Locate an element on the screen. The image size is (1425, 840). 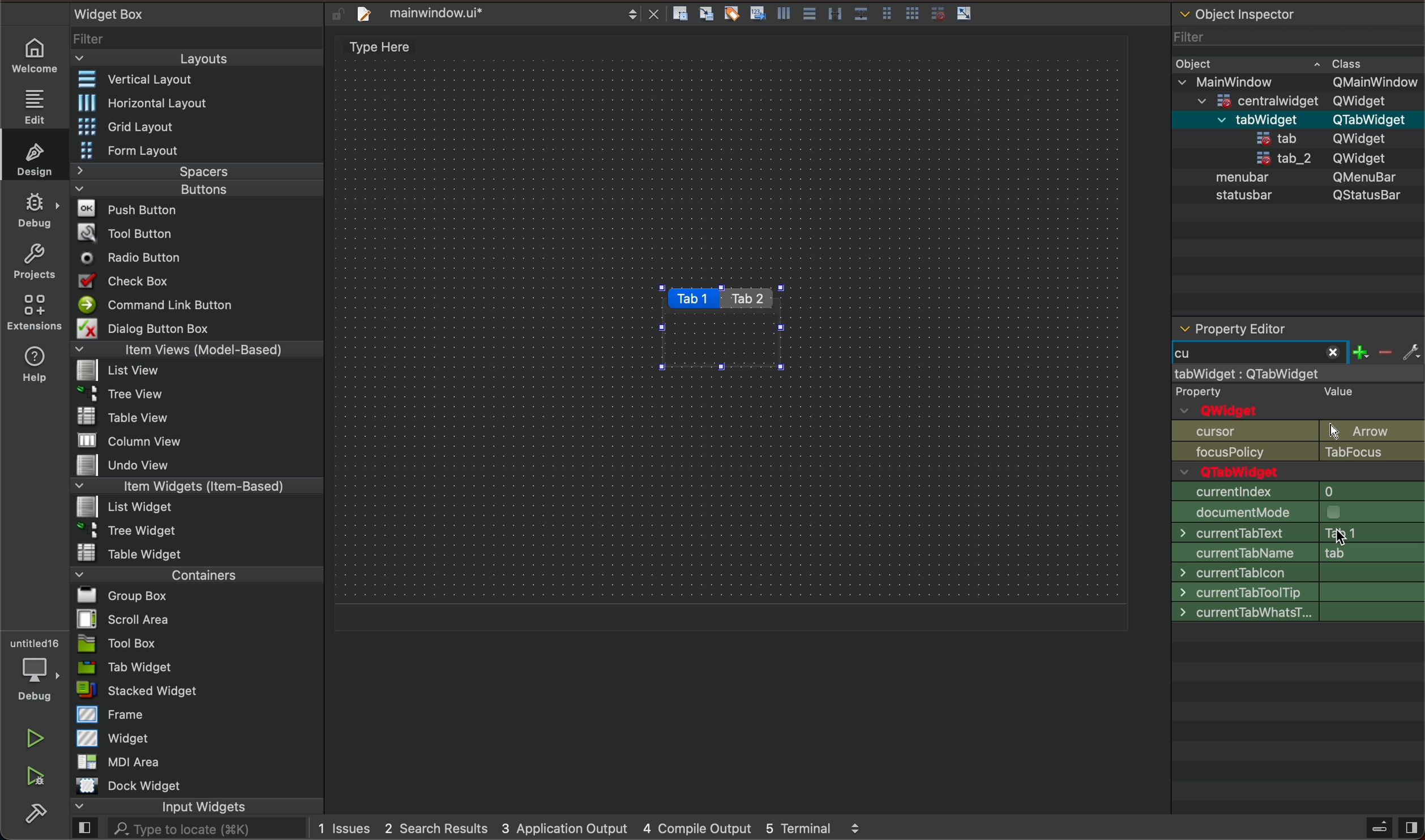
stacked Widget is located at coordinates (140, 690).